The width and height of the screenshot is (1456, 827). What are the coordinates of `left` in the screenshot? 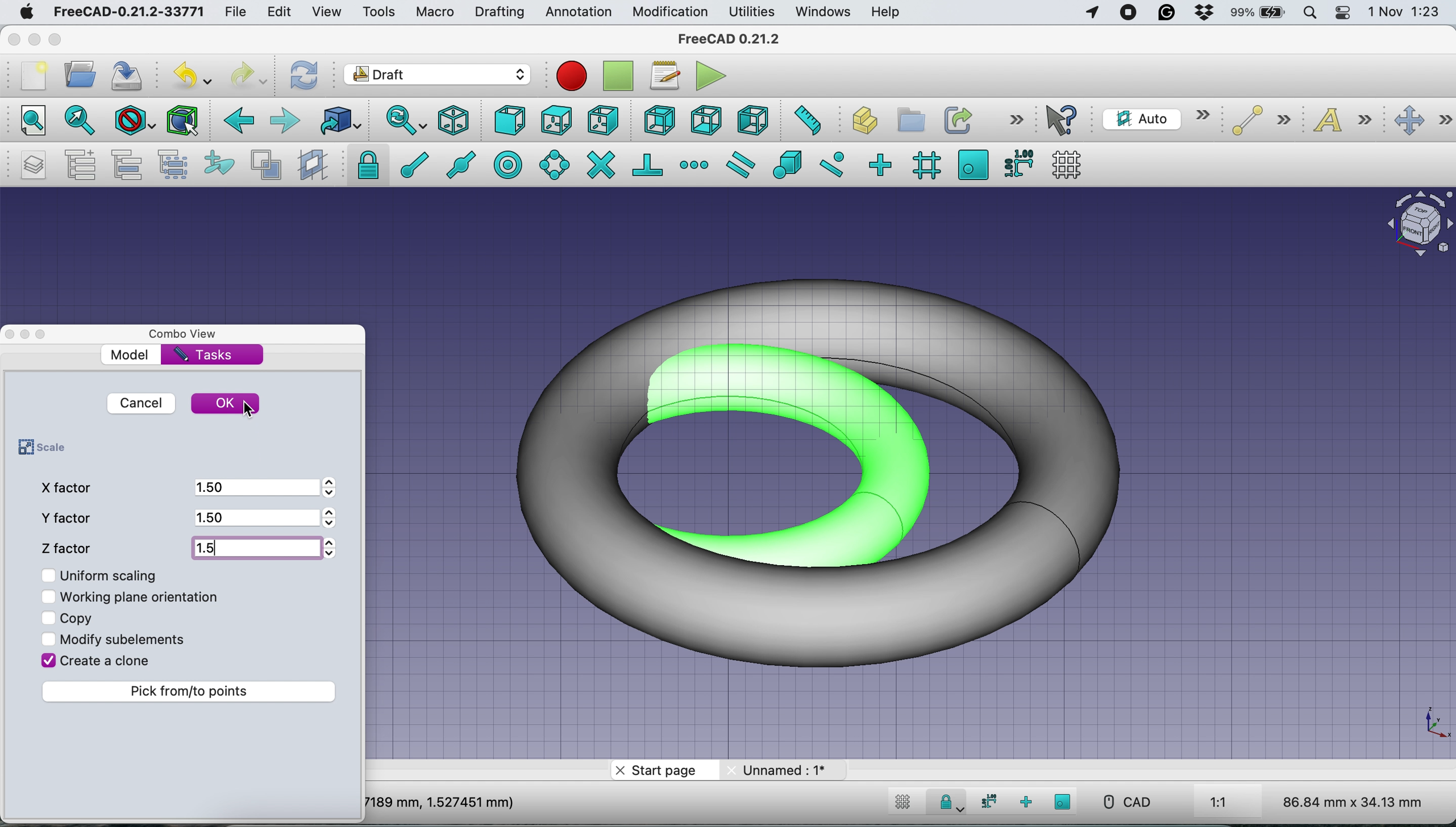 It's located at (750, 118).